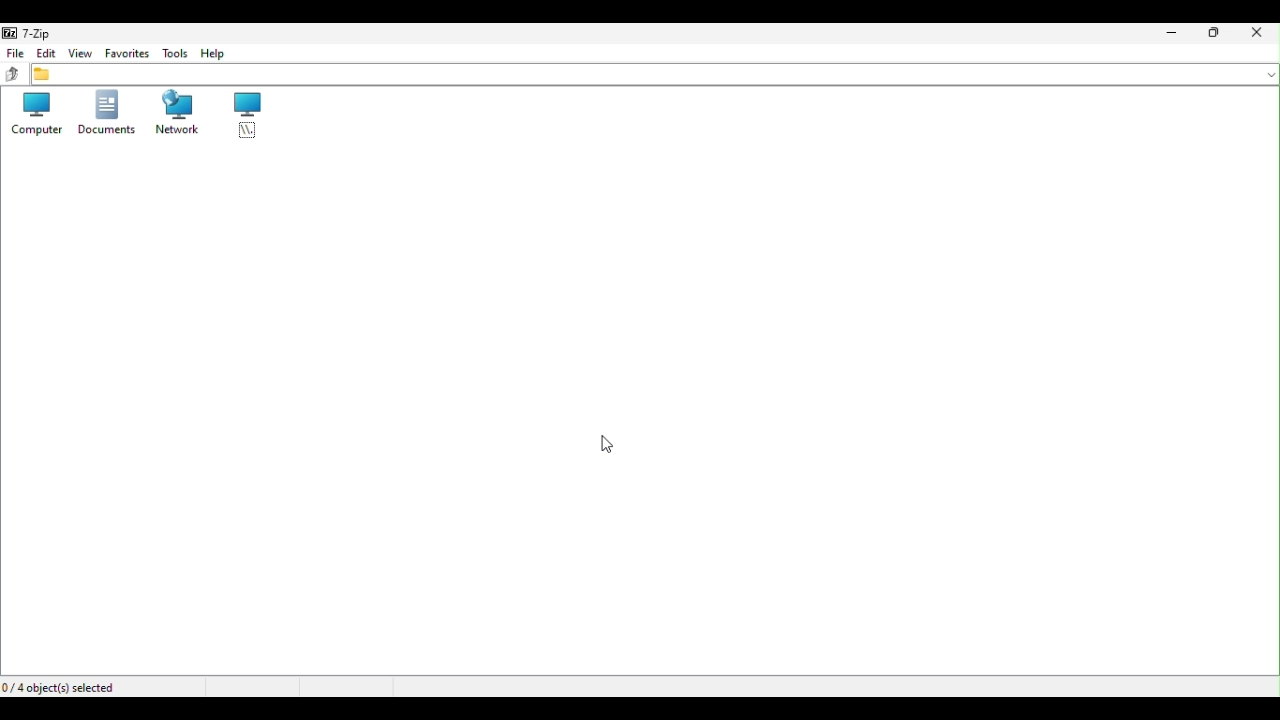 This screenshot has width=1280, height=720. Describe the element at coordinates (1215, 34) in the screenshot. I see `Restore` at that location.